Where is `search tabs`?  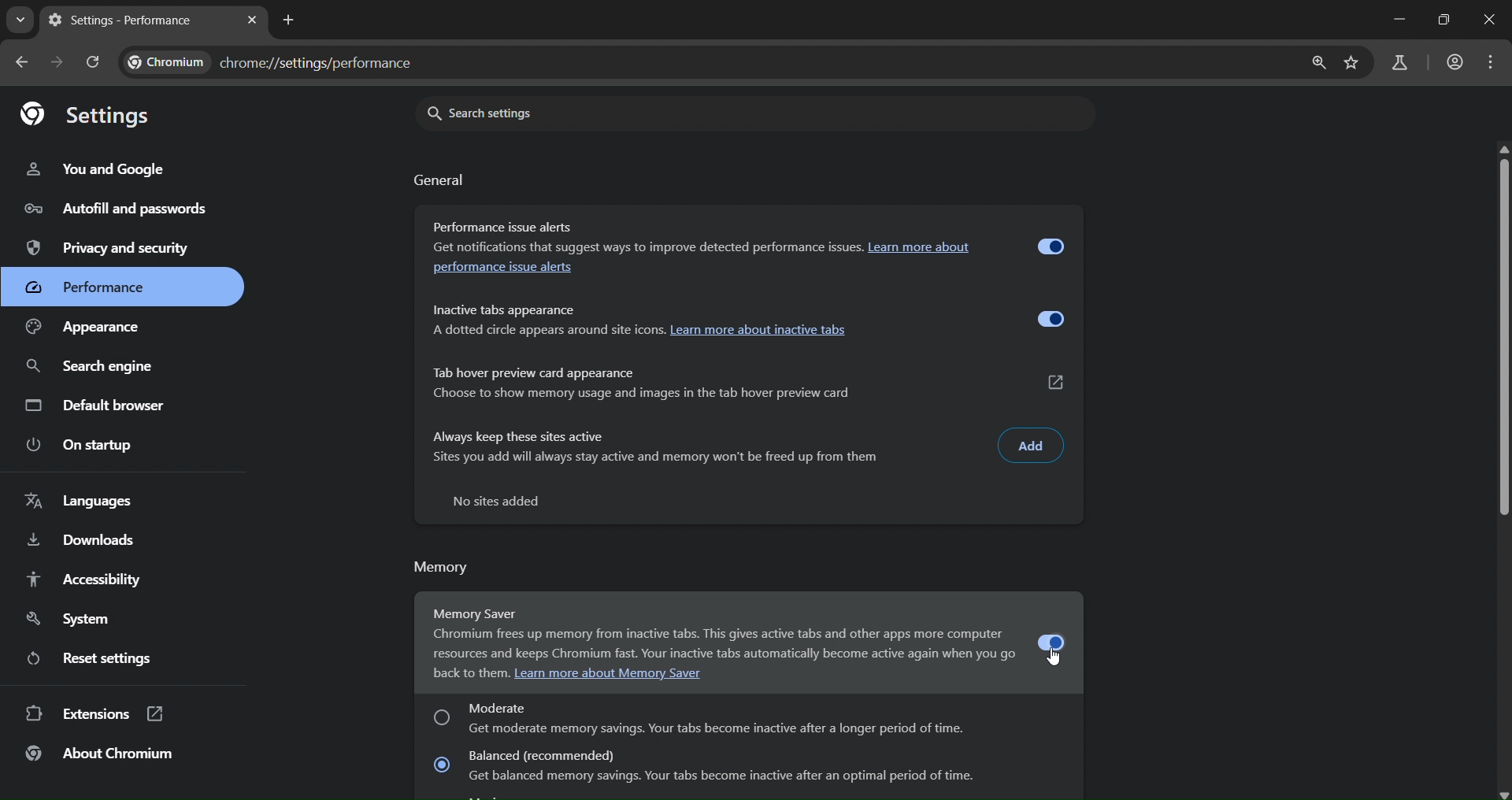
search tabs is located at coordinates (21, 20).